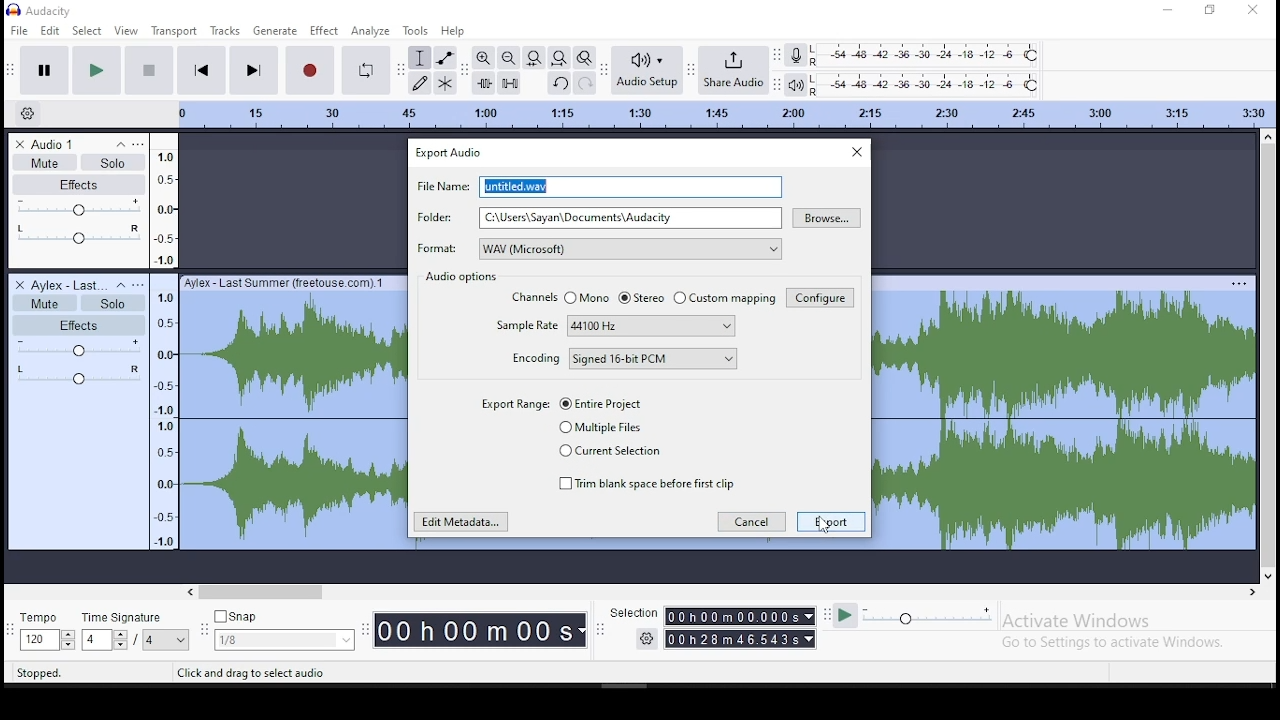 Image resolution: width=1280 pixels, height=720 pixels. Describe the element at coordinates (127, 32) in the screenshot. I see `view` at that location.